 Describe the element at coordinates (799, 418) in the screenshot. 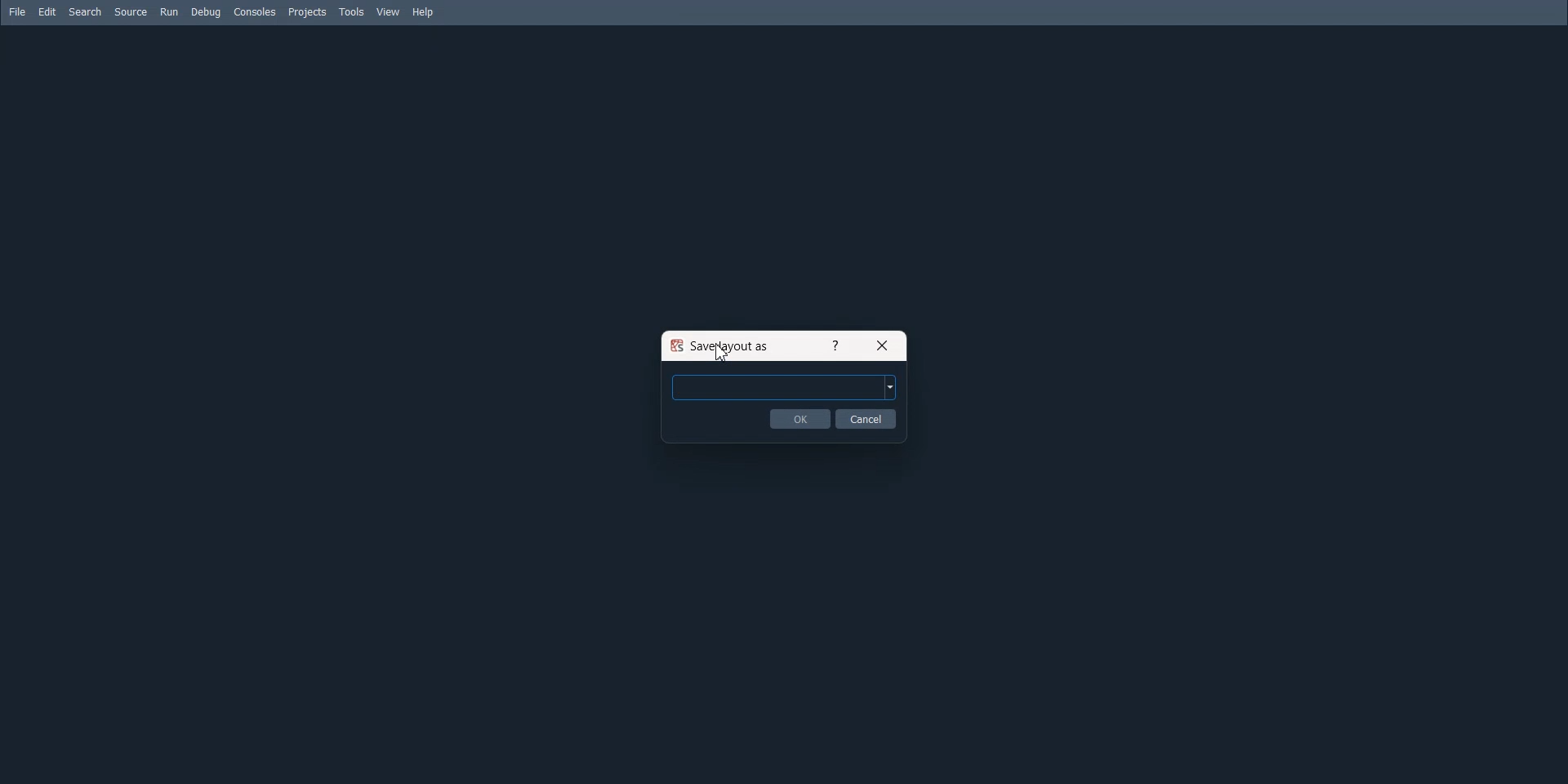

I see `OK` at that location.